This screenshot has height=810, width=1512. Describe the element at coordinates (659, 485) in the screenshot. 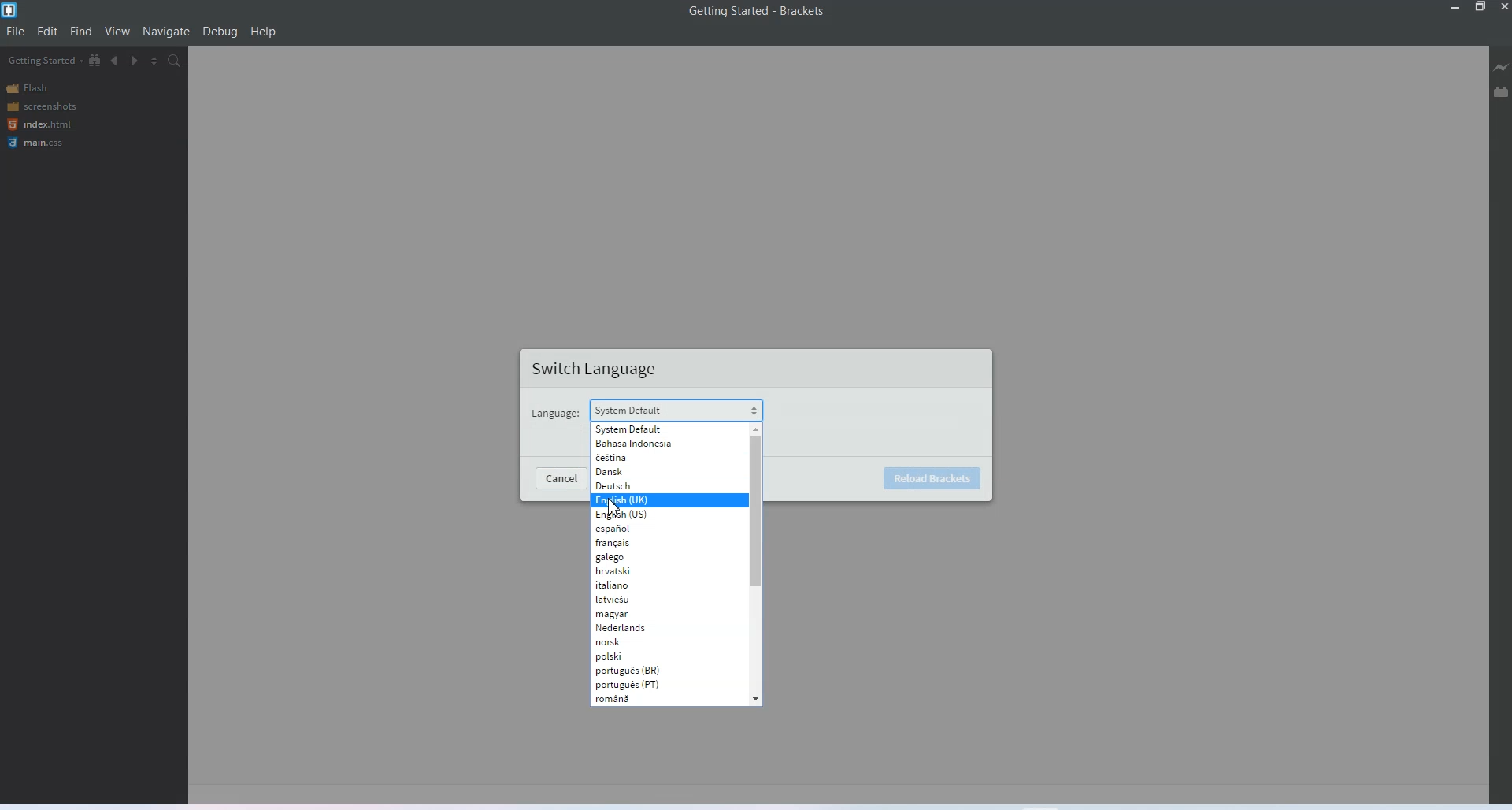

I see `deutsch` at that location.